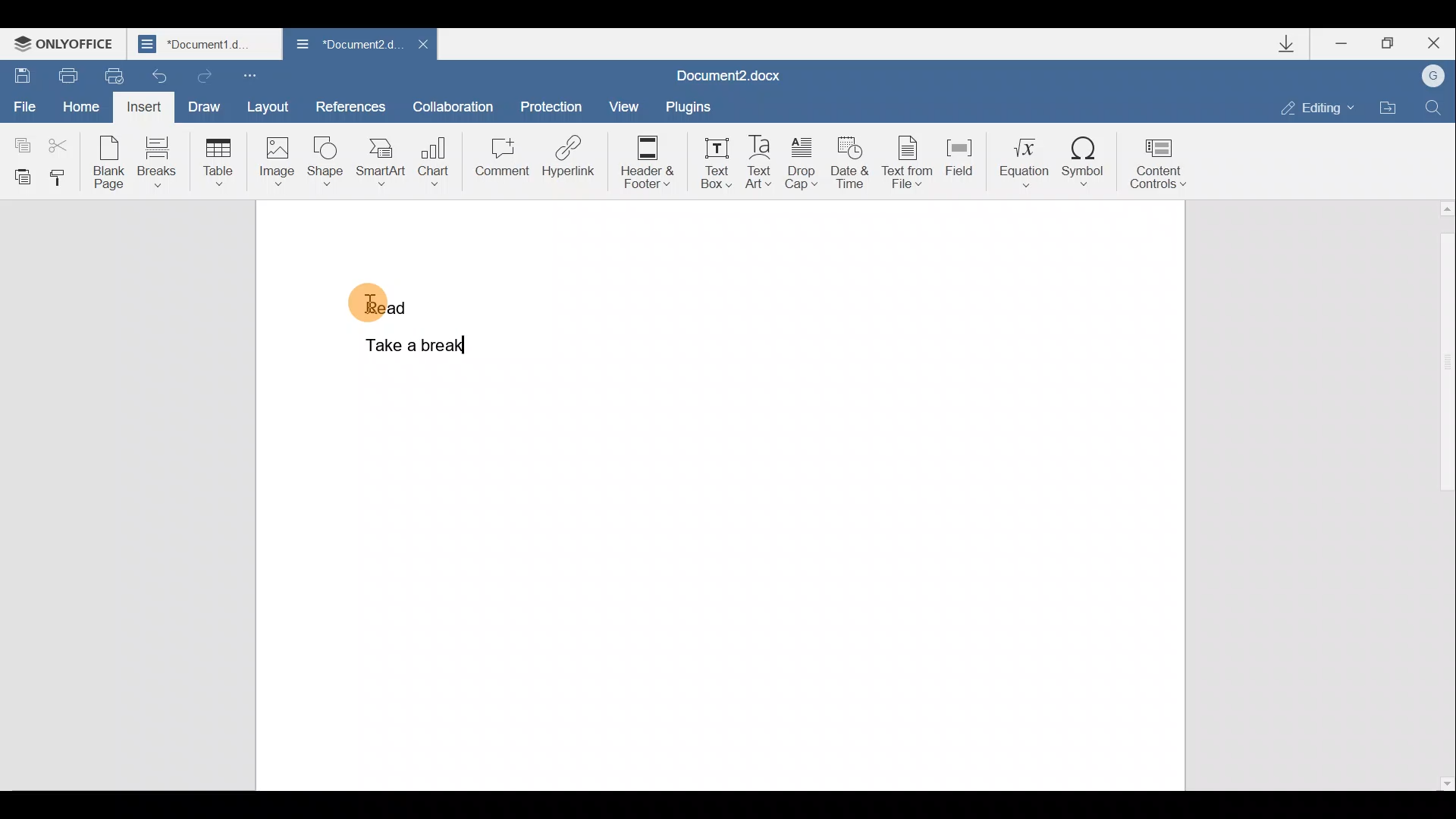 The width and height of the screenshot is (1456, 819). Describe the element at coordinates (1162, 167) in the screenshot. I see `Content controls` at that location.